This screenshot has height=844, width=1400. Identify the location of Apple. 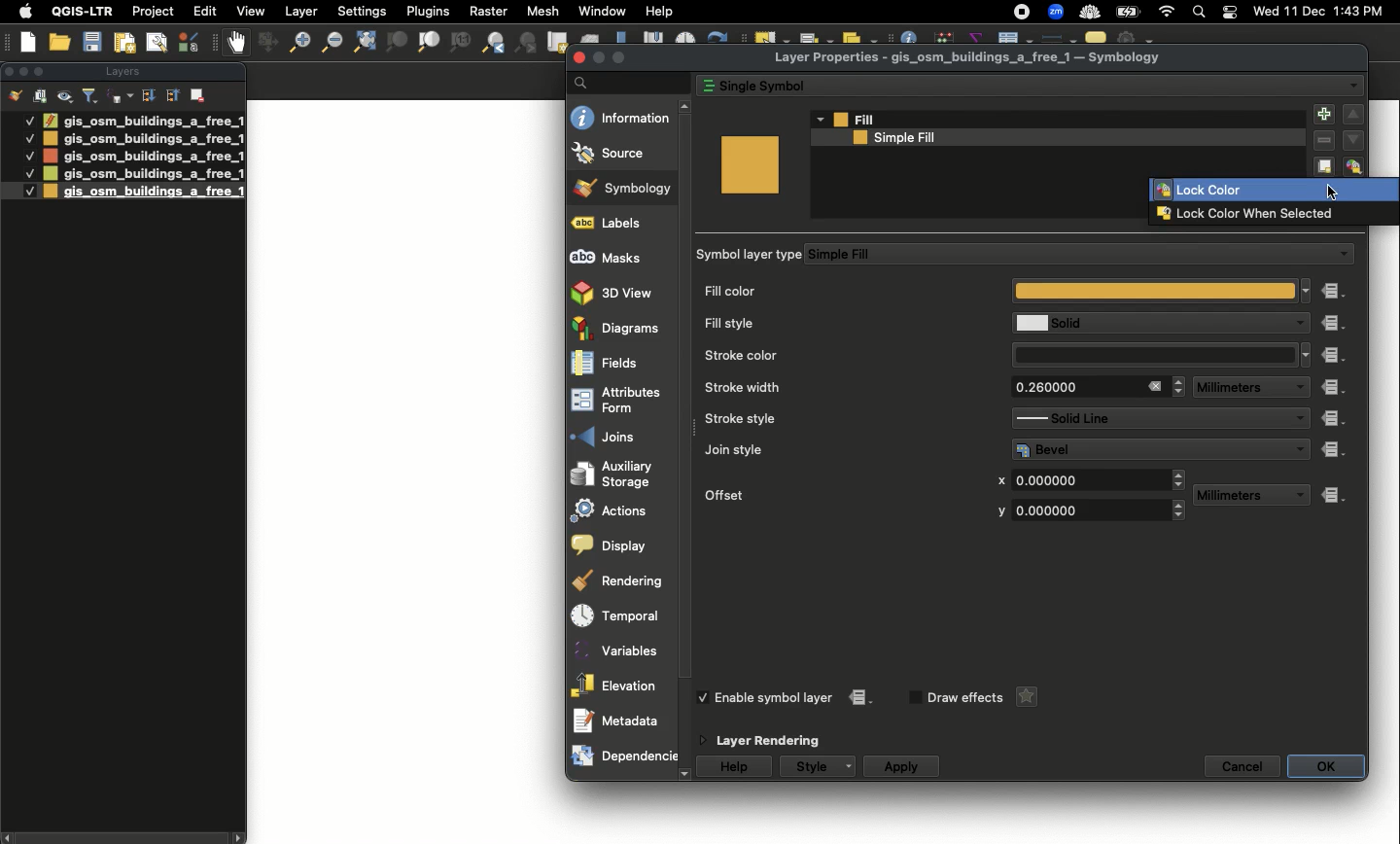
(22, 12).